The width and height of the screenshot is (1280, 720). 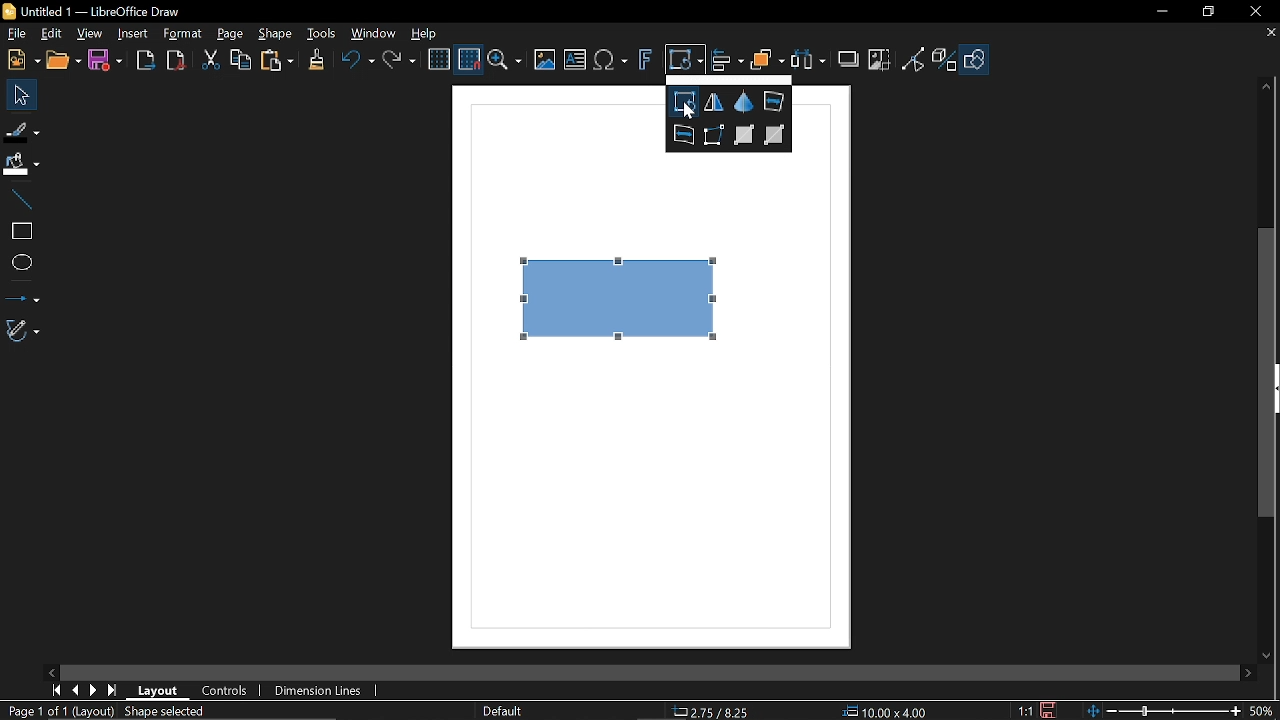 I want to click on Crop, so click(x=881, y=61).